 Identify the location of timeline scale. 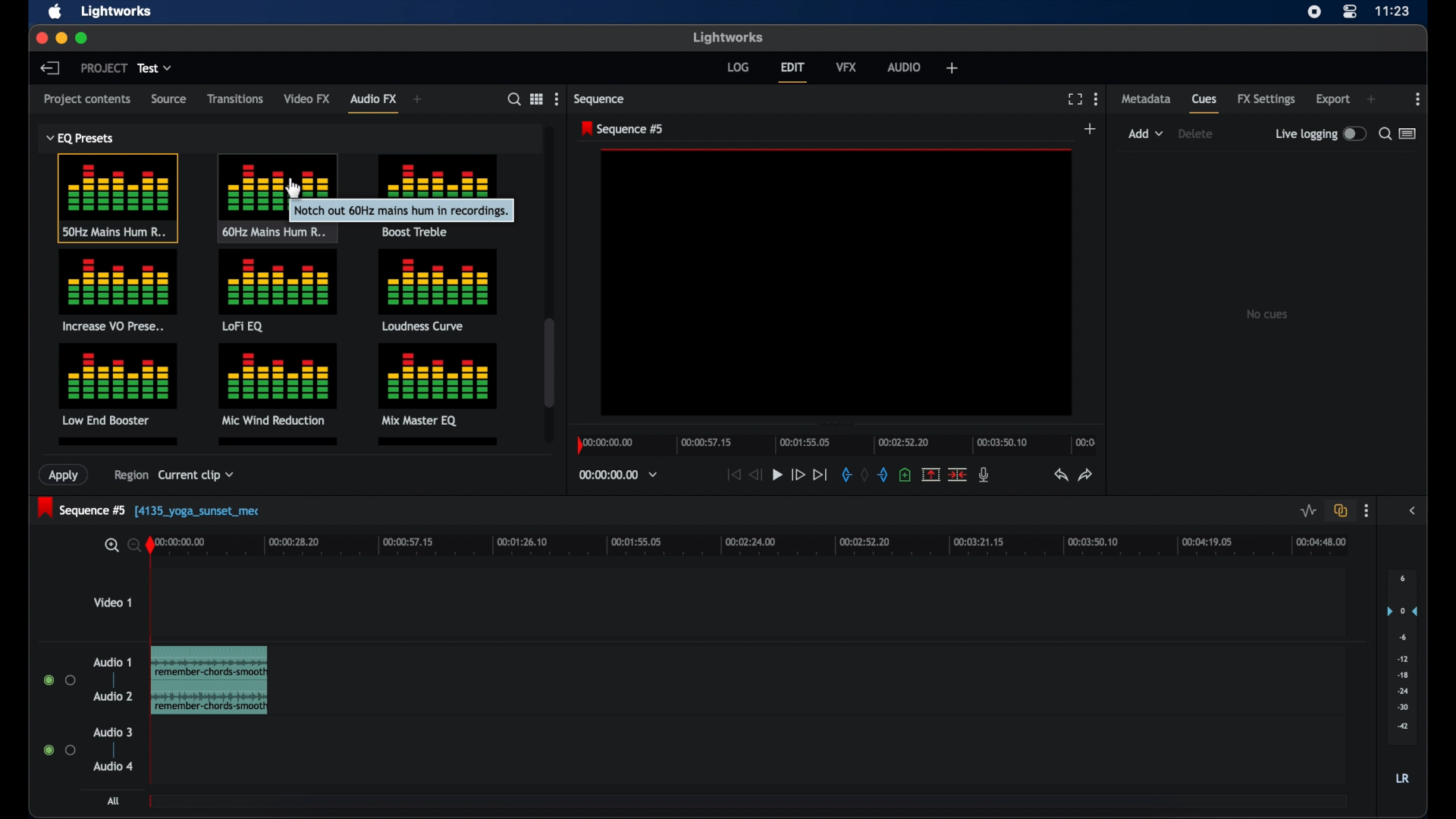
(763, 548).